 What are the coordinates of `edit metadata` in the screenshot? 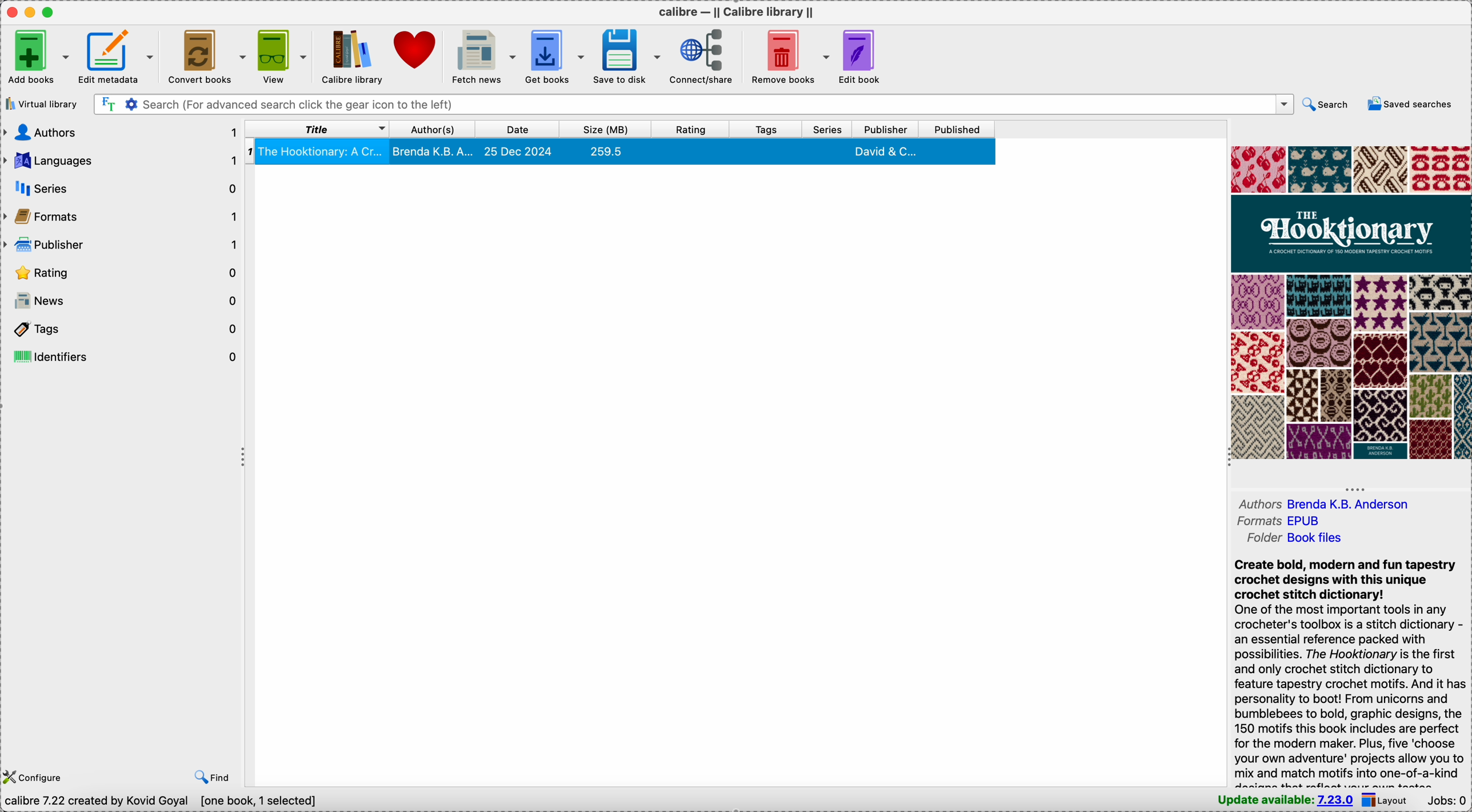 It's located at (118, 55).